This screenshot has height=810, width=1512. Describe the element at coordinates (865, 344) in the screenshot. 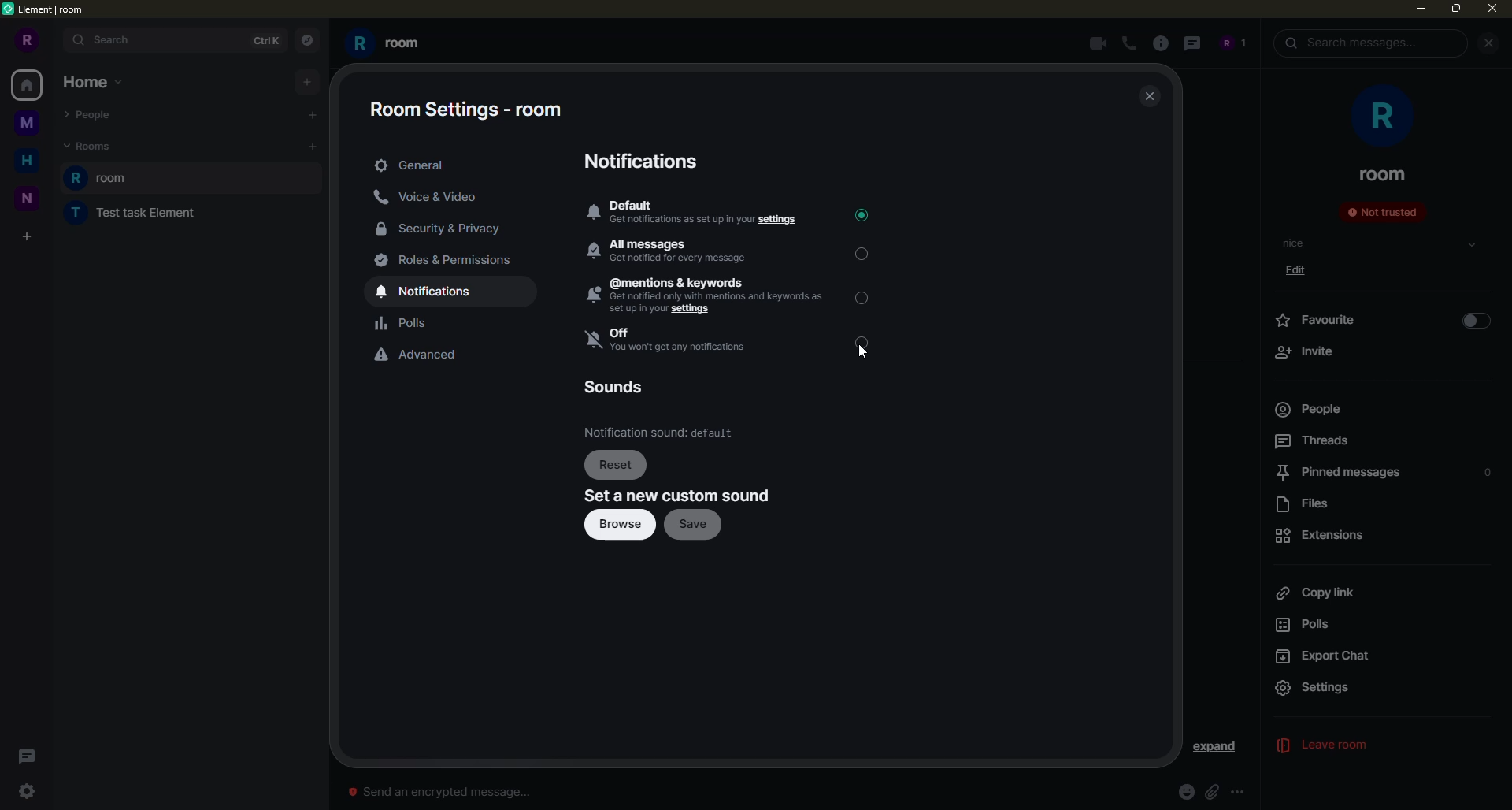

I see `click to select` at that location.